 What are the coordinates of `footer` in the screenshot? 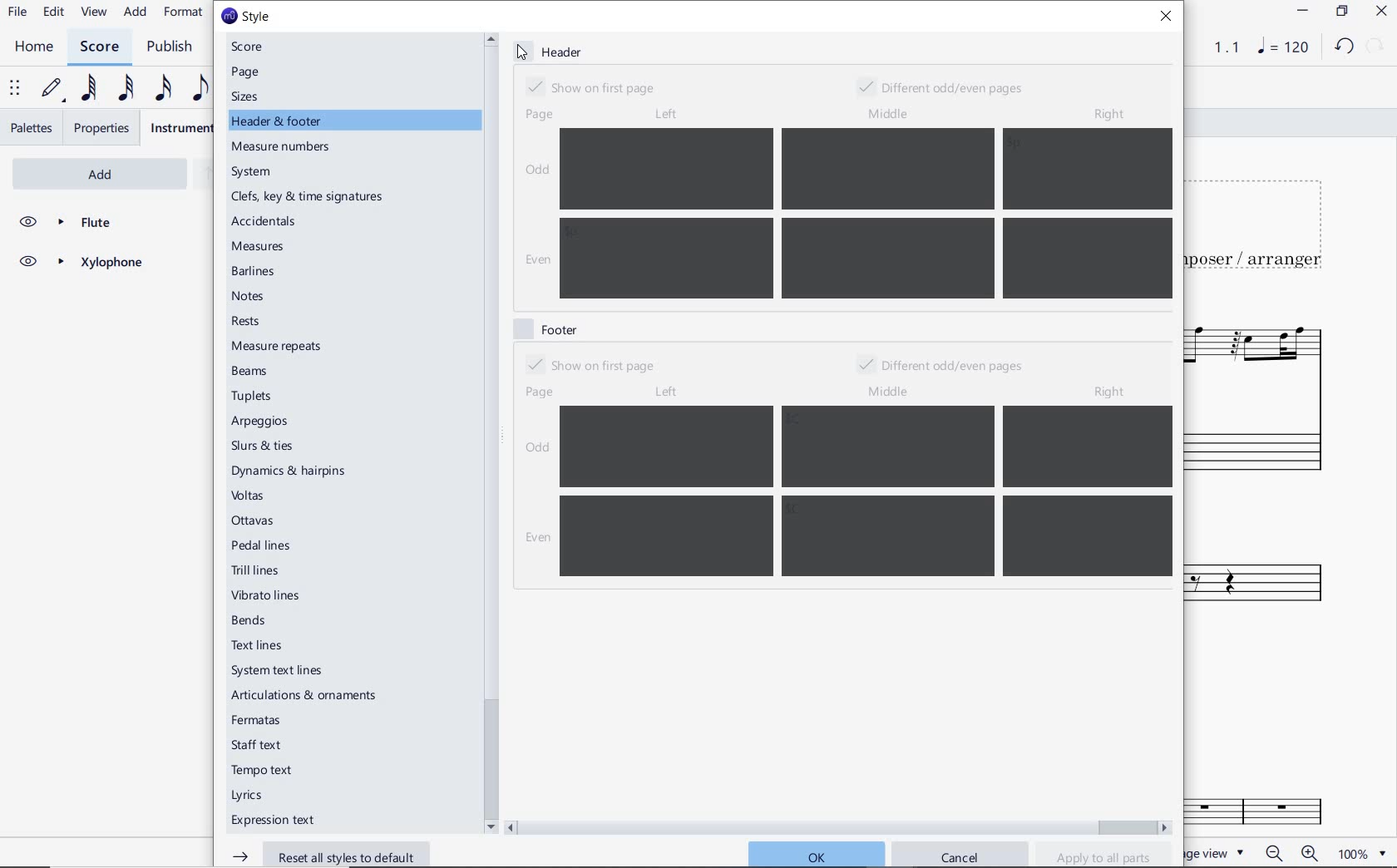 It's located at (545, 328).